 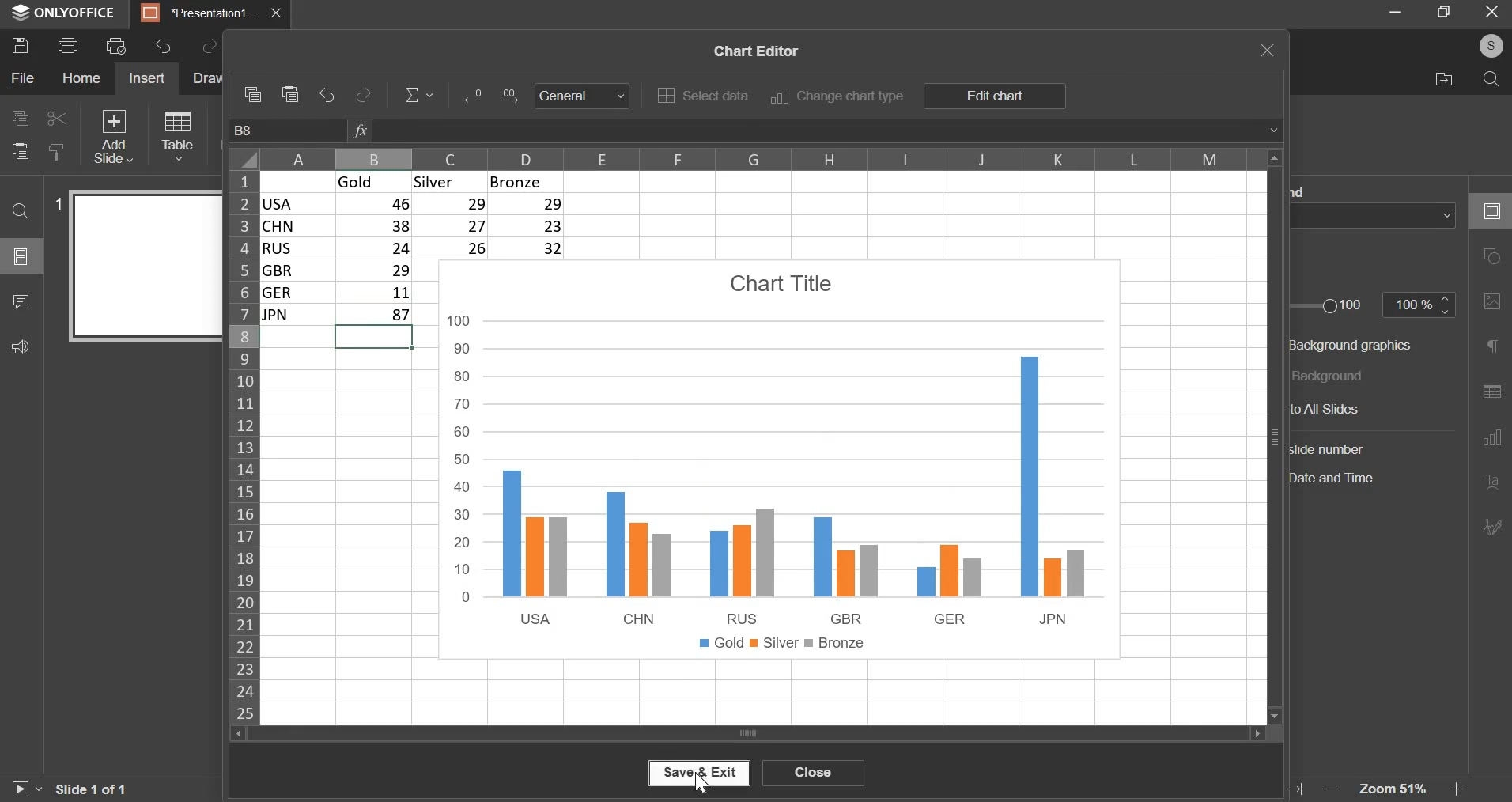 I want to click on , so click(x=516, y=96).